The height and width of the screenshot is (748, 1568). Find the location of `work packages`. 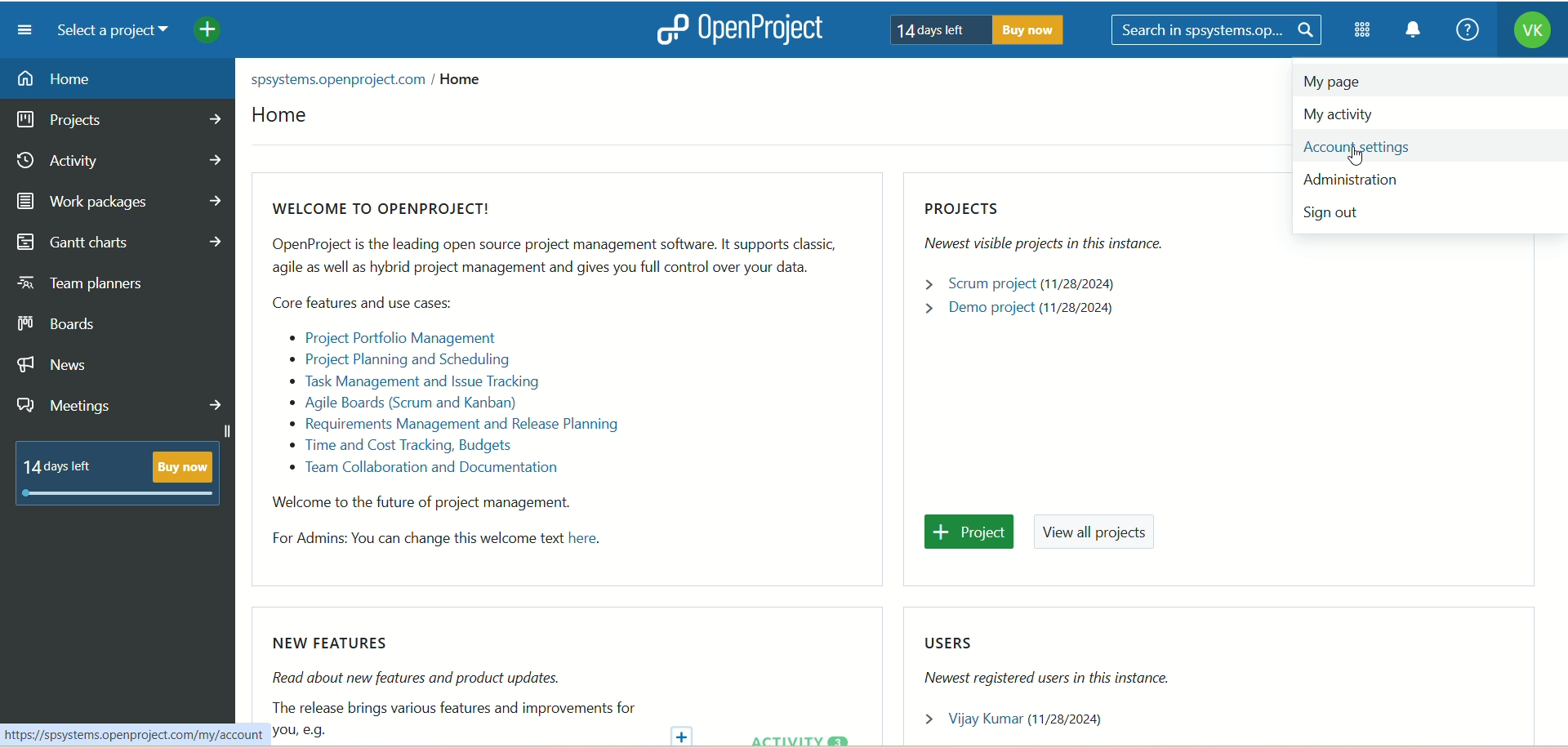

work packages is located at coordinates (122, 200).